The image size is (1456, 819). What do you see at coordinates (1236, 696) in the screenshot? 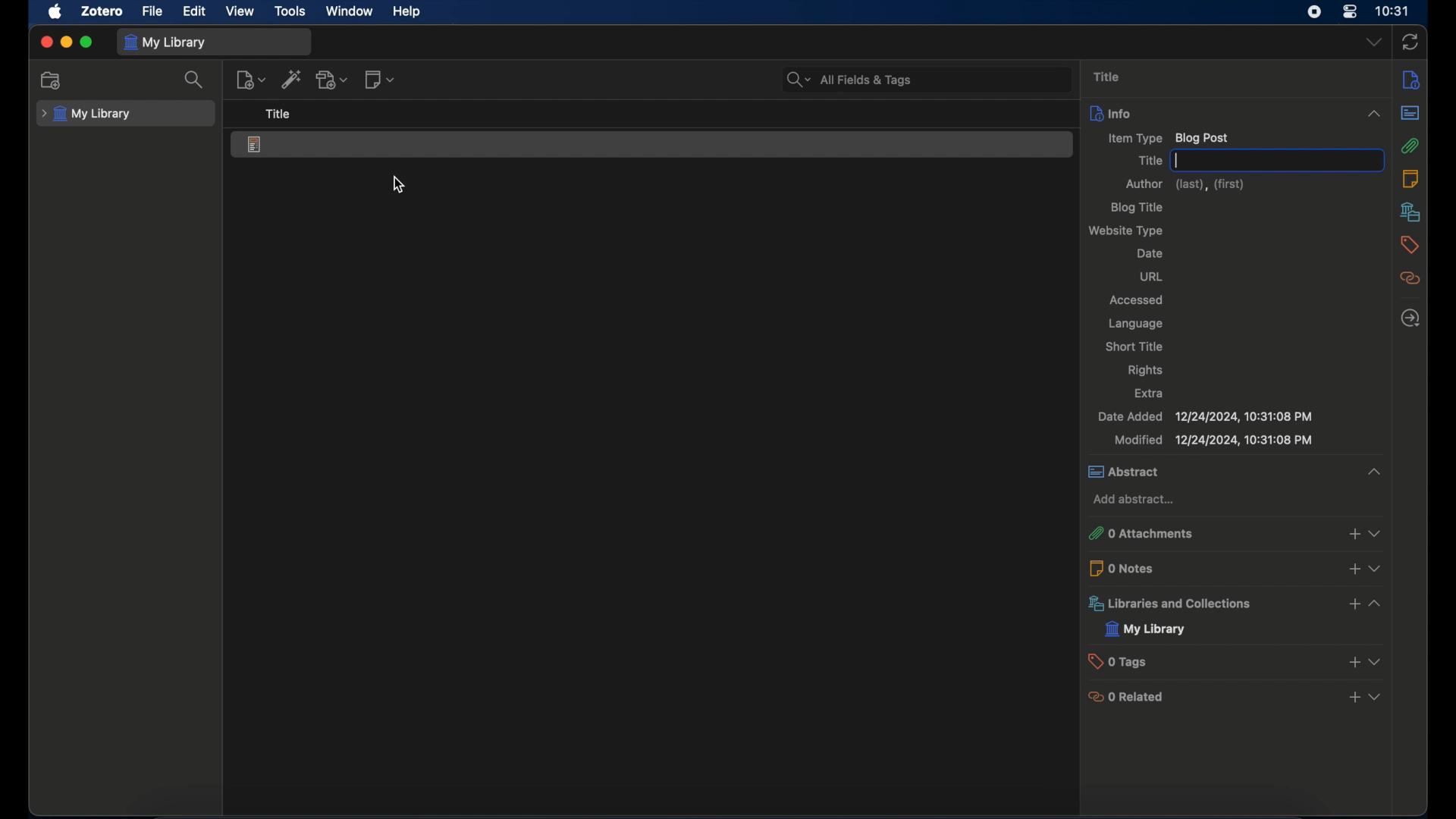
I see `0 related` at bounding box center [1236, 696].